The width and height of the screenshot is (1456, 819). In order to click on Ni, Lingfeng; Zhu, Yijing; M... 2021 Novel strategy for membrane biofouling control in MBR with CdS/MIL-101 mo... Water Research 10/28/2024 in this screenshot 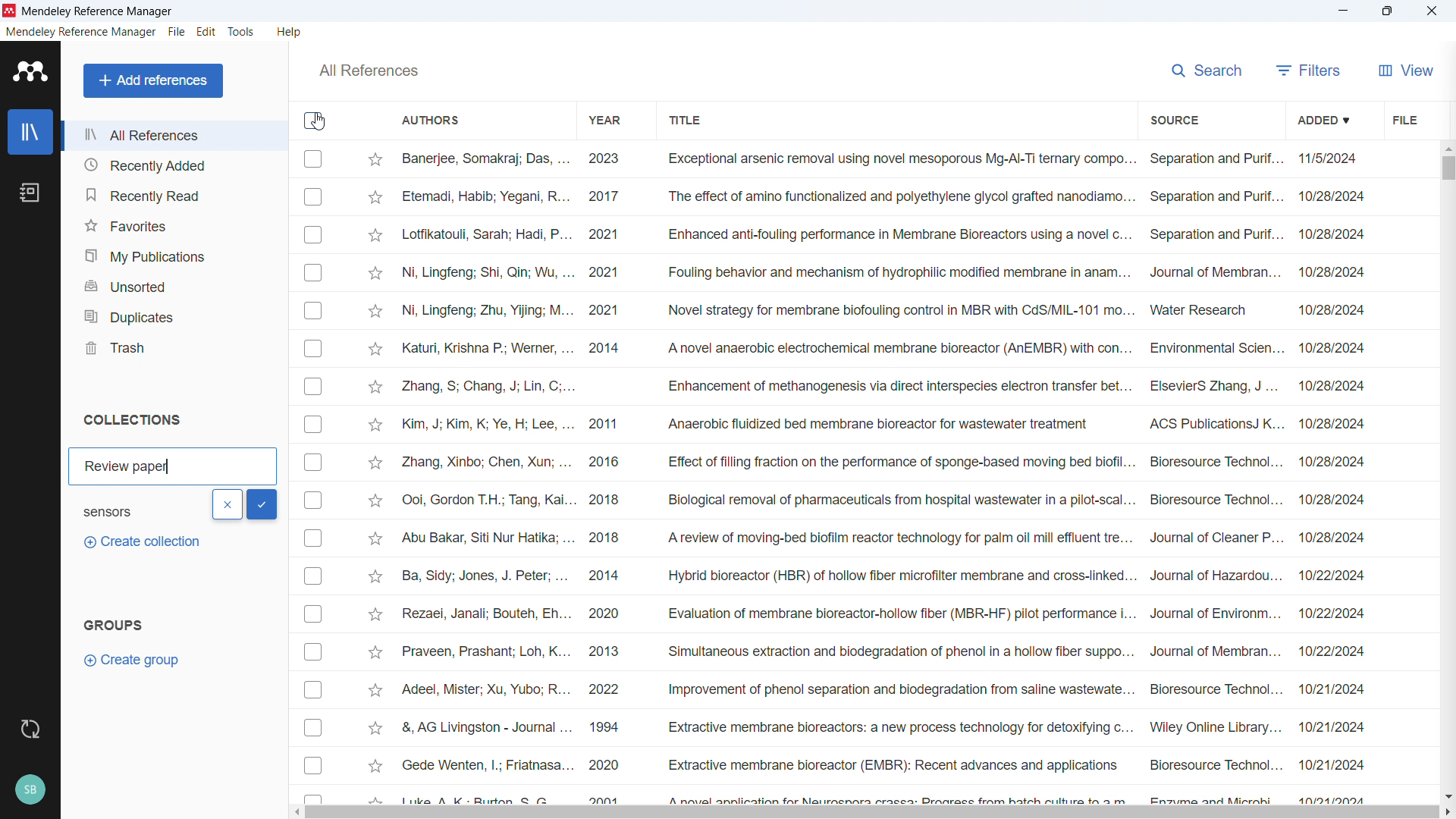, I will do `click(885, 310)`.